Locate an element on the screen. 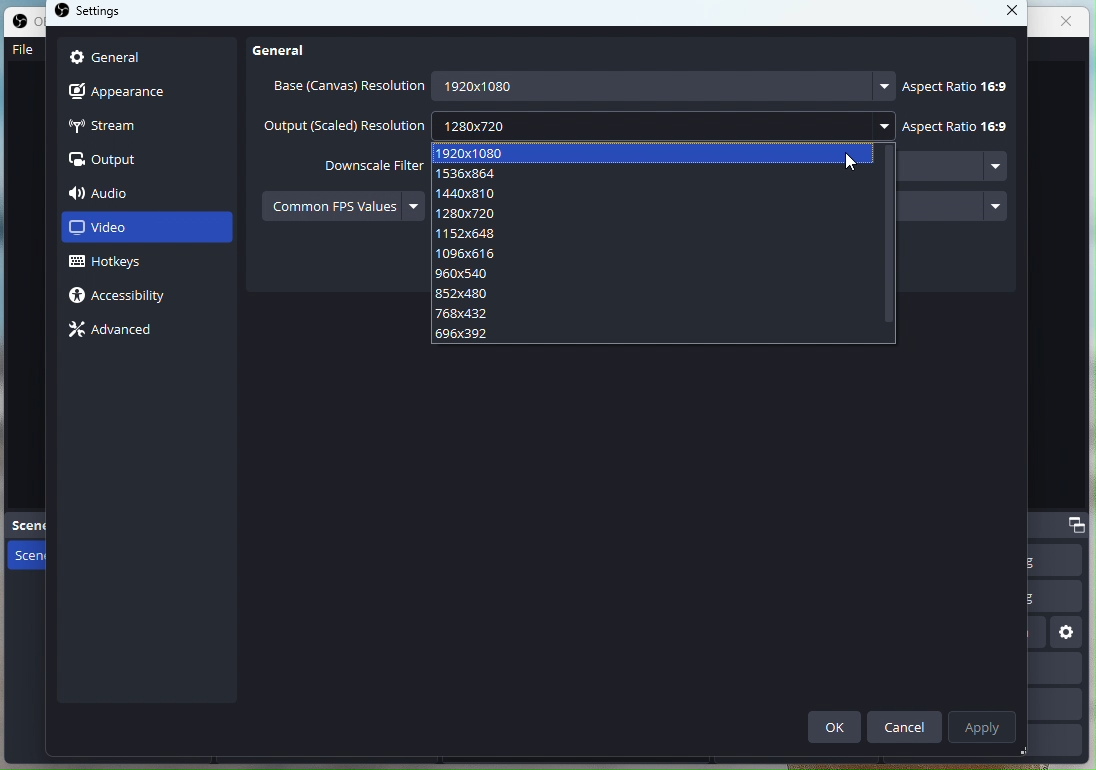 The height and width of the screenshot is (770, 1096). settings is located at coordinates (1068, 635).